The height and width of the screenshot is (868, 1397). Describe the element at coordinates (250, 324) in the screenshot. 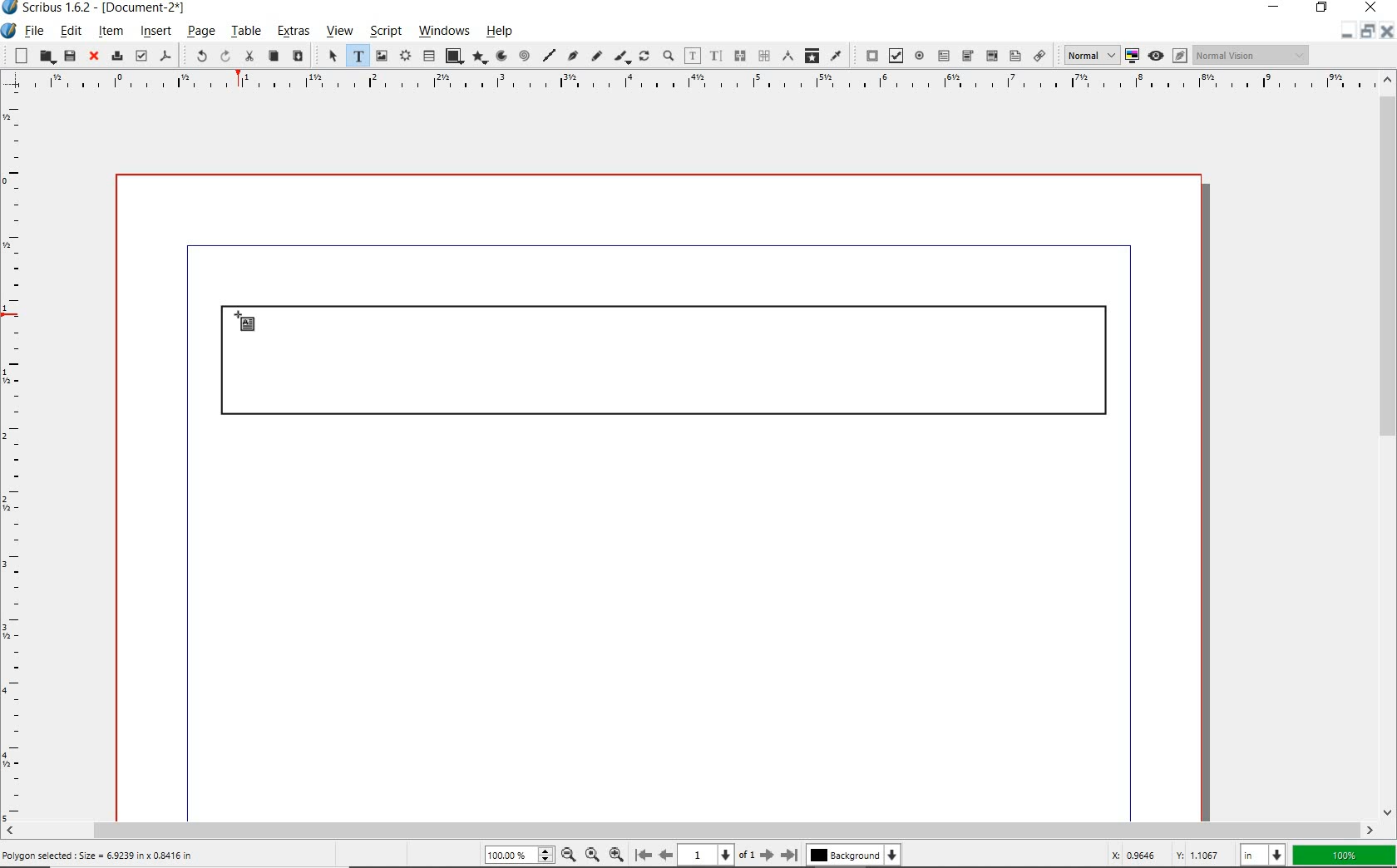

I see `text frame tool` at that location.